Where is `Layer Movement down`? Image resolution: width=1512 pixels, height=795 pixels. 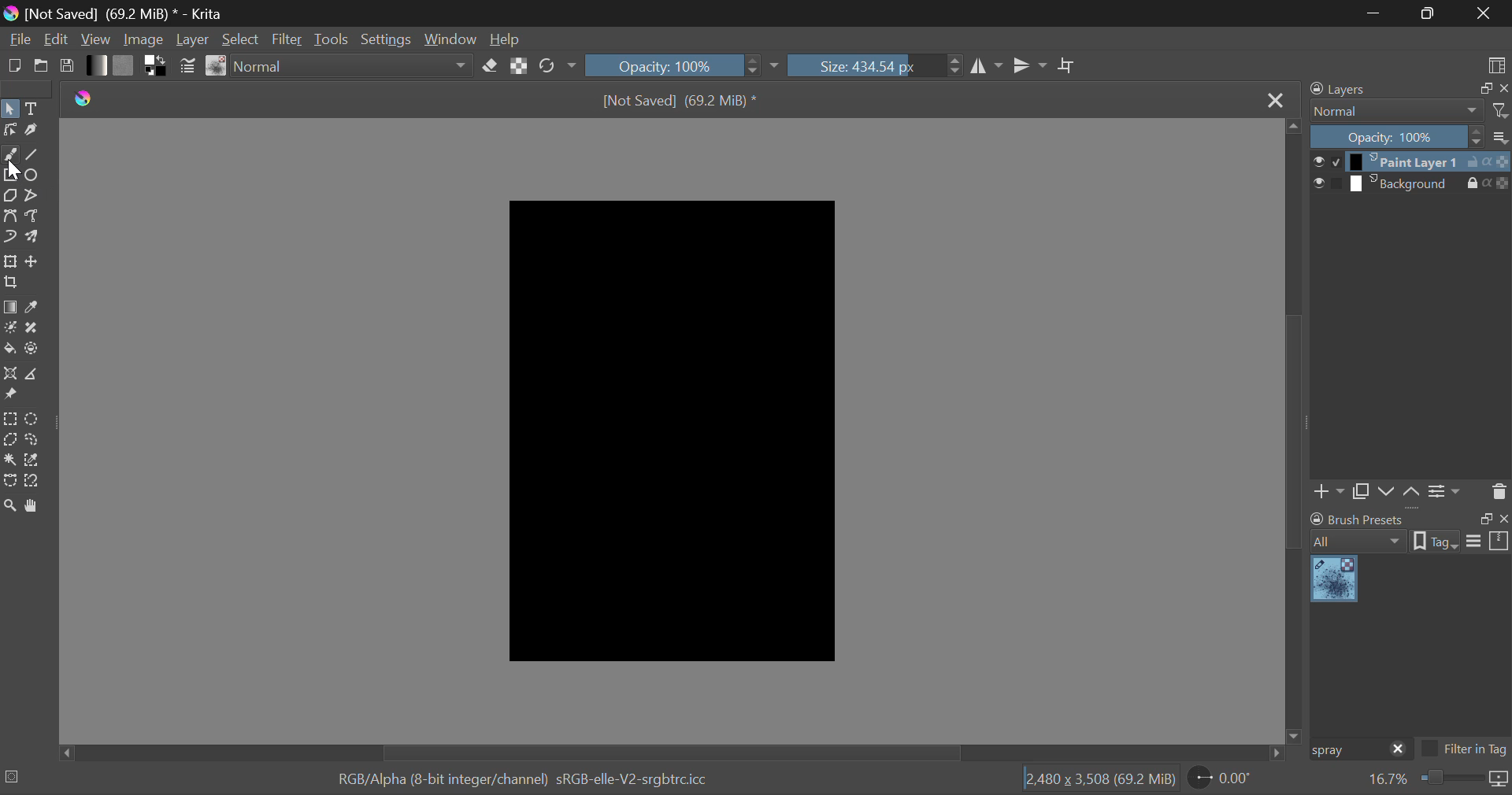
Layer Movement down is located at coordinates (1388, 493).